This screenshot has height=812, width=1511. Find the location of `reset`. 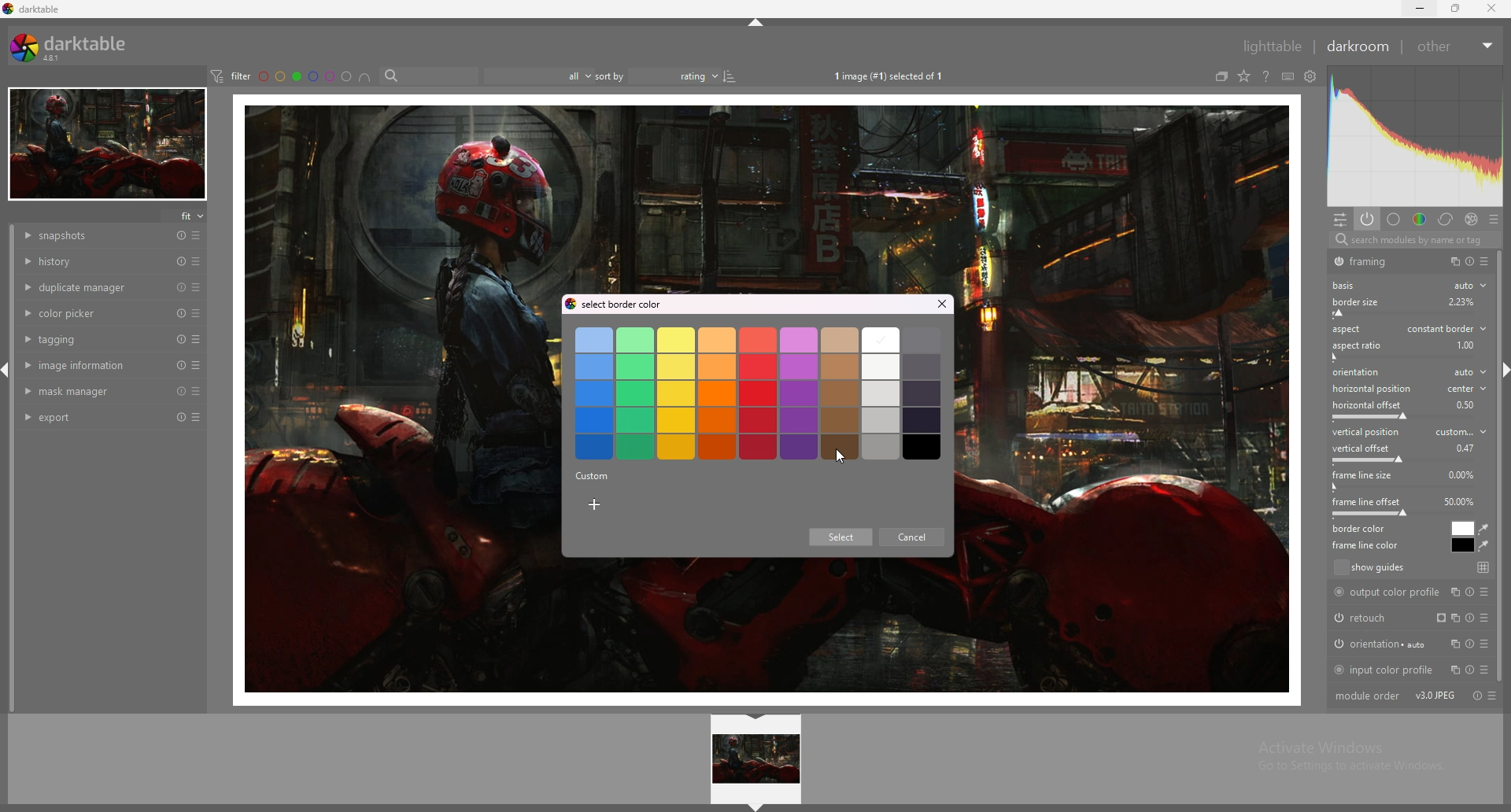

reset is located at coordinates (179, 261).